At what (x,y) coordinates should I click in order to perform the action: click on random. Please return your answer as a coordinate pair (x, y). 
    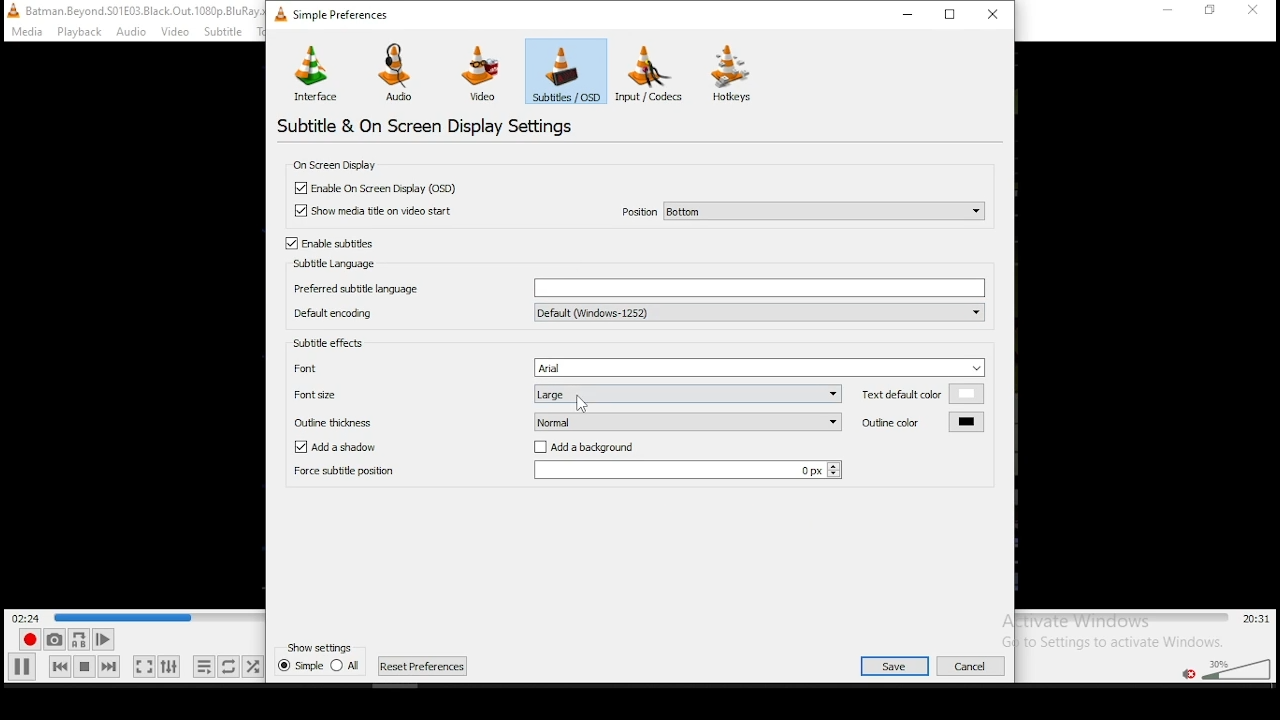
    Looking at the image, I should click on (253, 667).